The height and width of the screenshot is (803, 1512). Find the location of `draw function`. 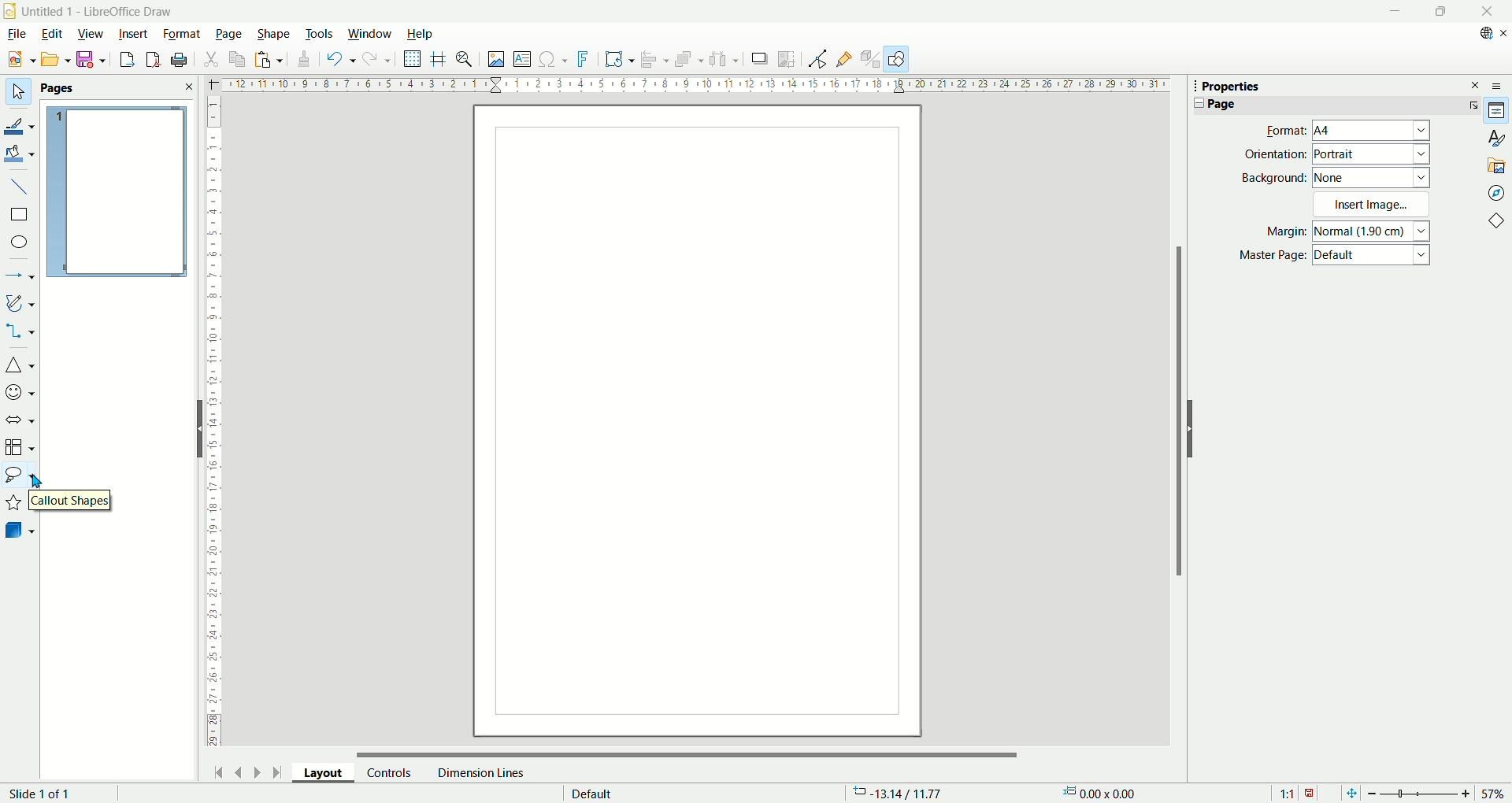

draw function is located at coordinates (899, 59).